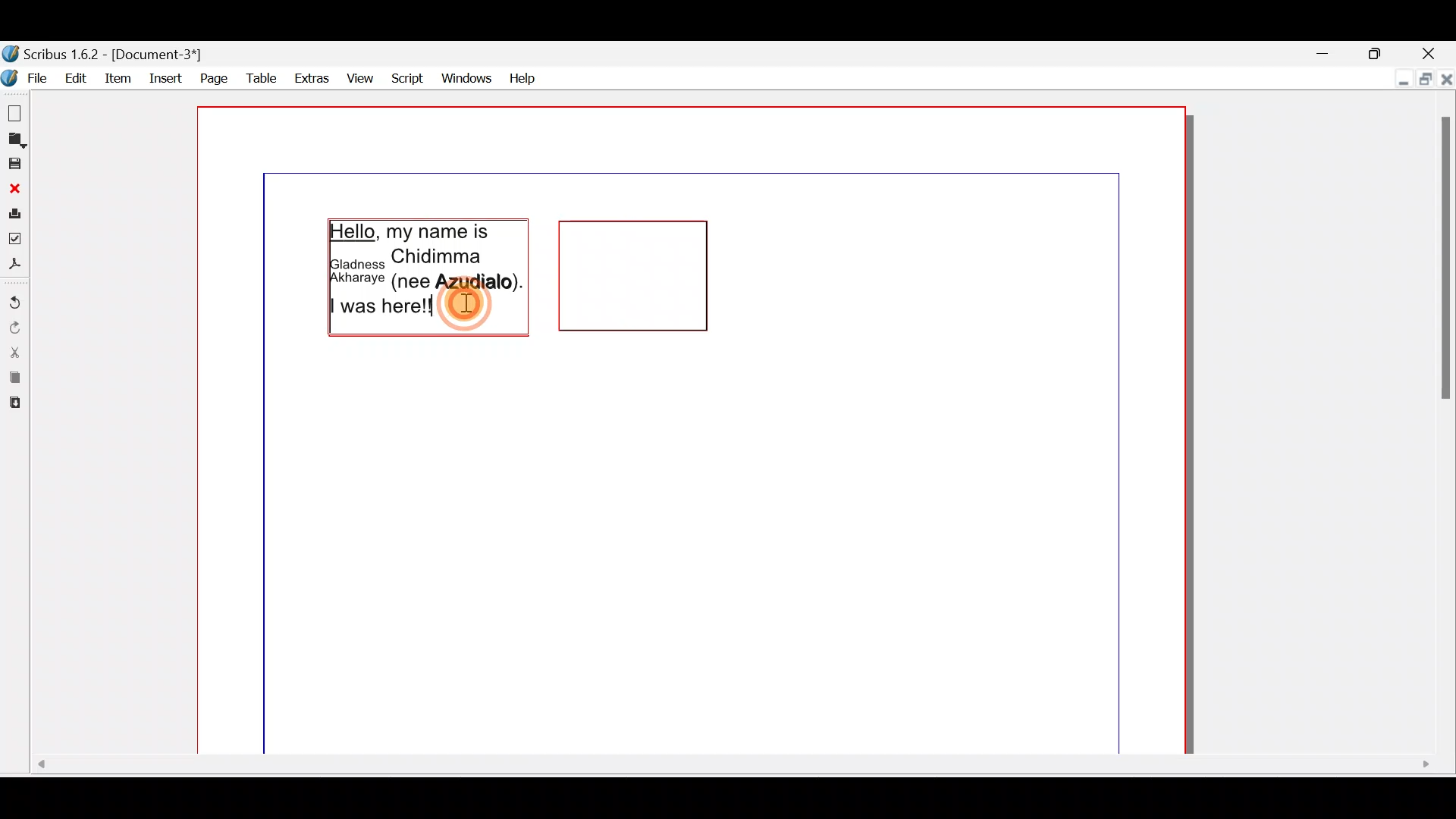 The width and height of the screenshot is (1456, 819). What do you see at coordinates (467, 77) in the screenshot?
I see `Windows` at bounding box center [467, 77].